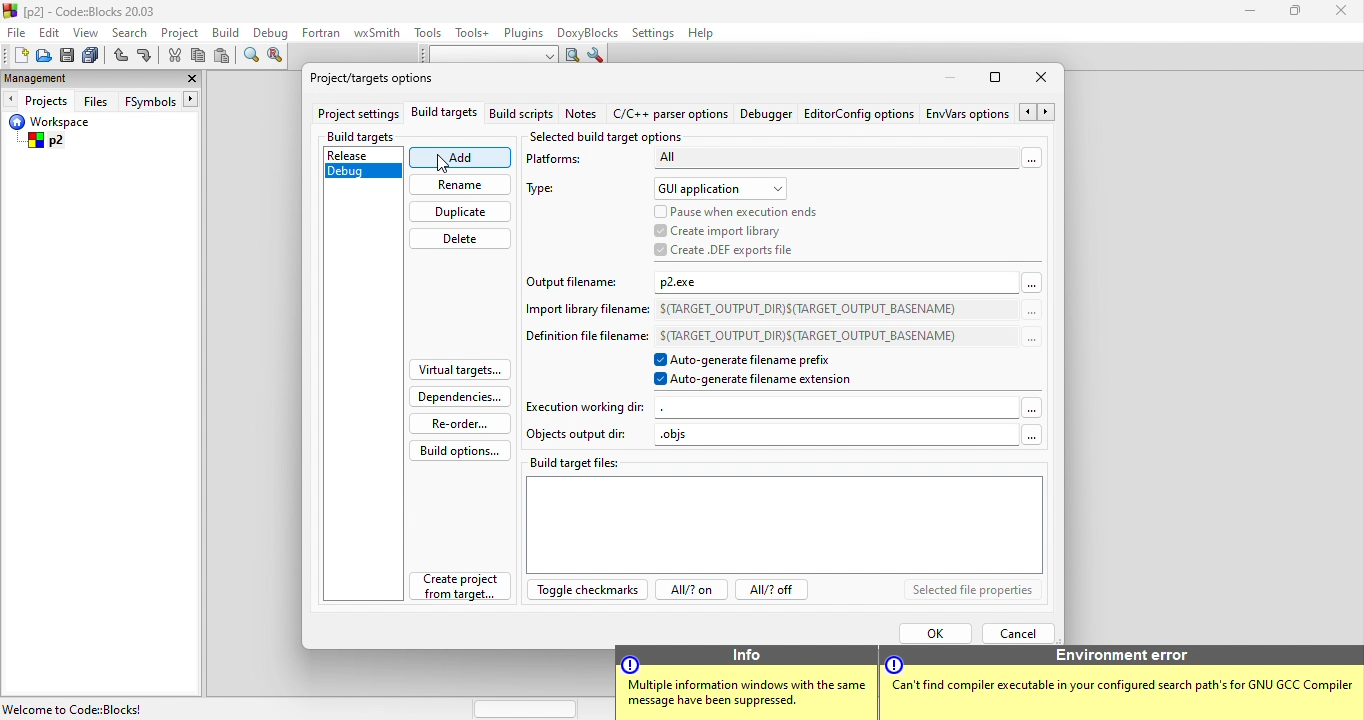  Describe the element at coordinates (613, 138) in the screenshot. I see `selected build target option` at that location.